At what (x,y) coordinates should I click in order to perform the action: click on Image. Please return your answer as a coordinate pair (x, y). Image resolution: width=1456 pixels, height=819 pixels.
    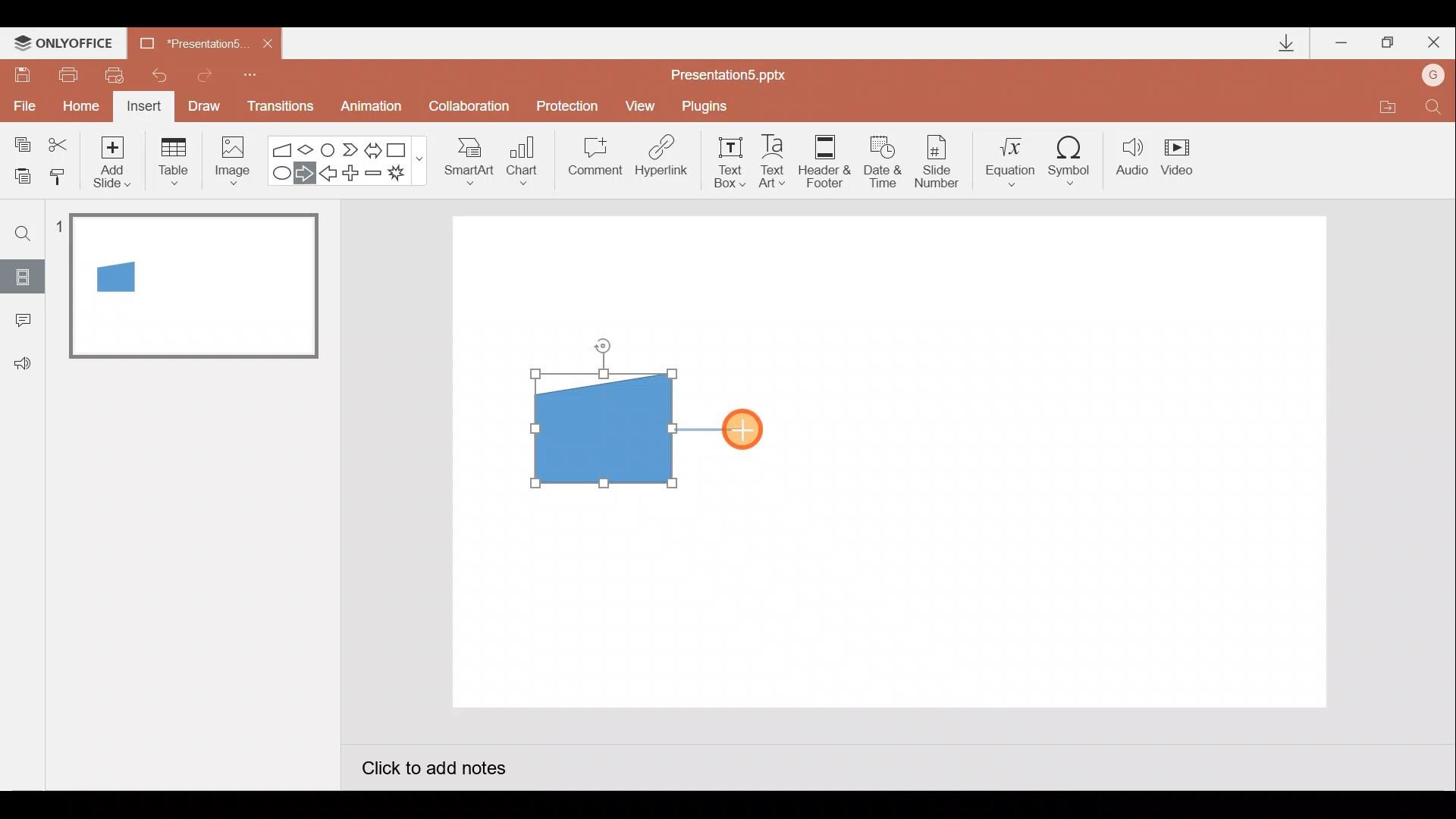
    Looking at the image, I should click on (228, 160).